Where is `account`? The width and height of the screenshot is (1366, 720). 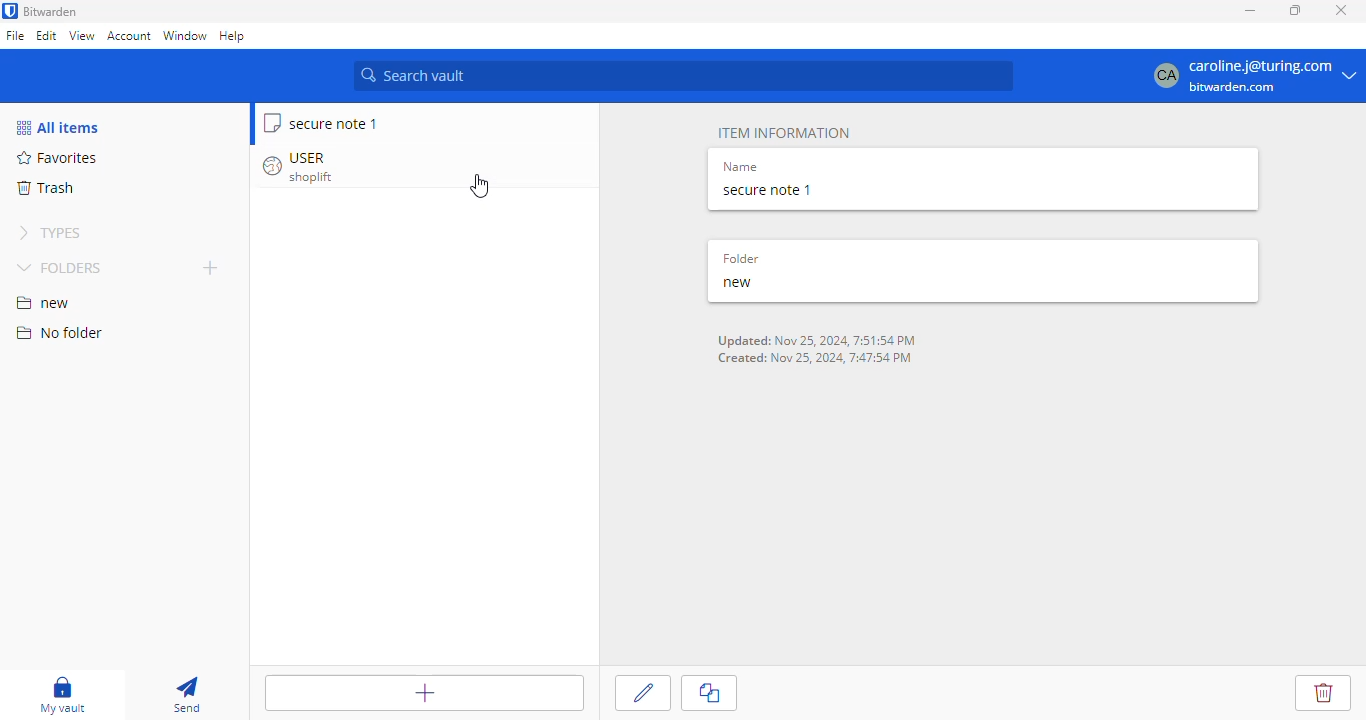
account is located at coordinates (129, 35).